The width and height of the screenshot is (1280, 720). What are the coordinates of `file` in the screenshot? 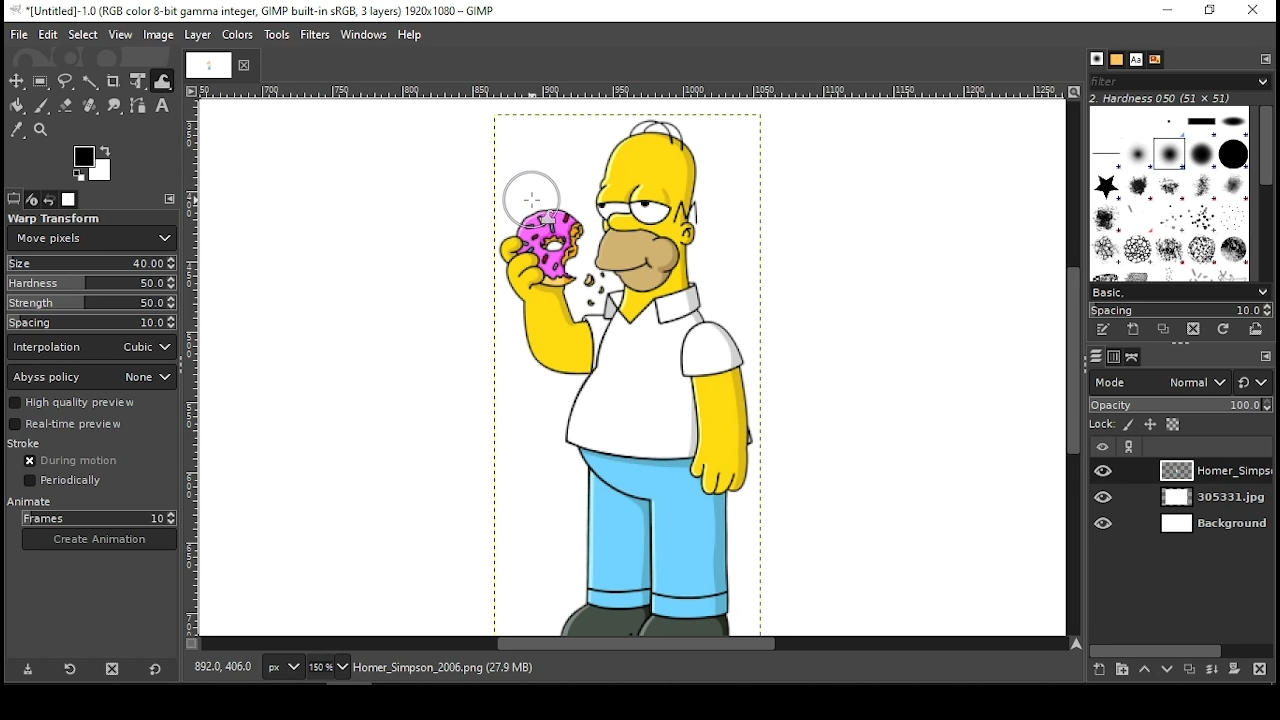 It's located at (20, 35).